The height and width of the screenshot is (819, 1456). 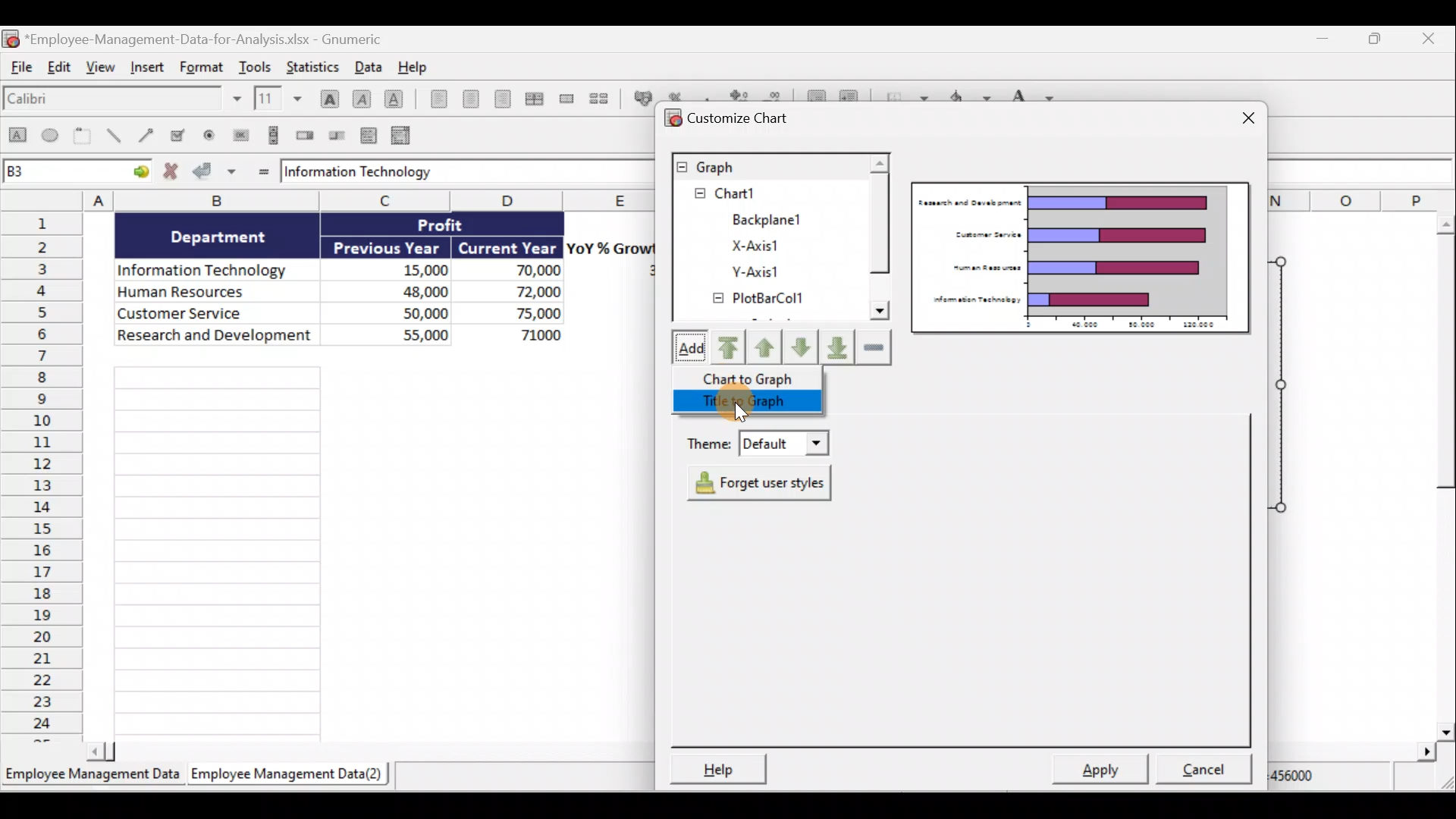 What do you see at coordinates (741, 193) in the screenshot?
I see `Chart1` at bounding box center [741, 193].